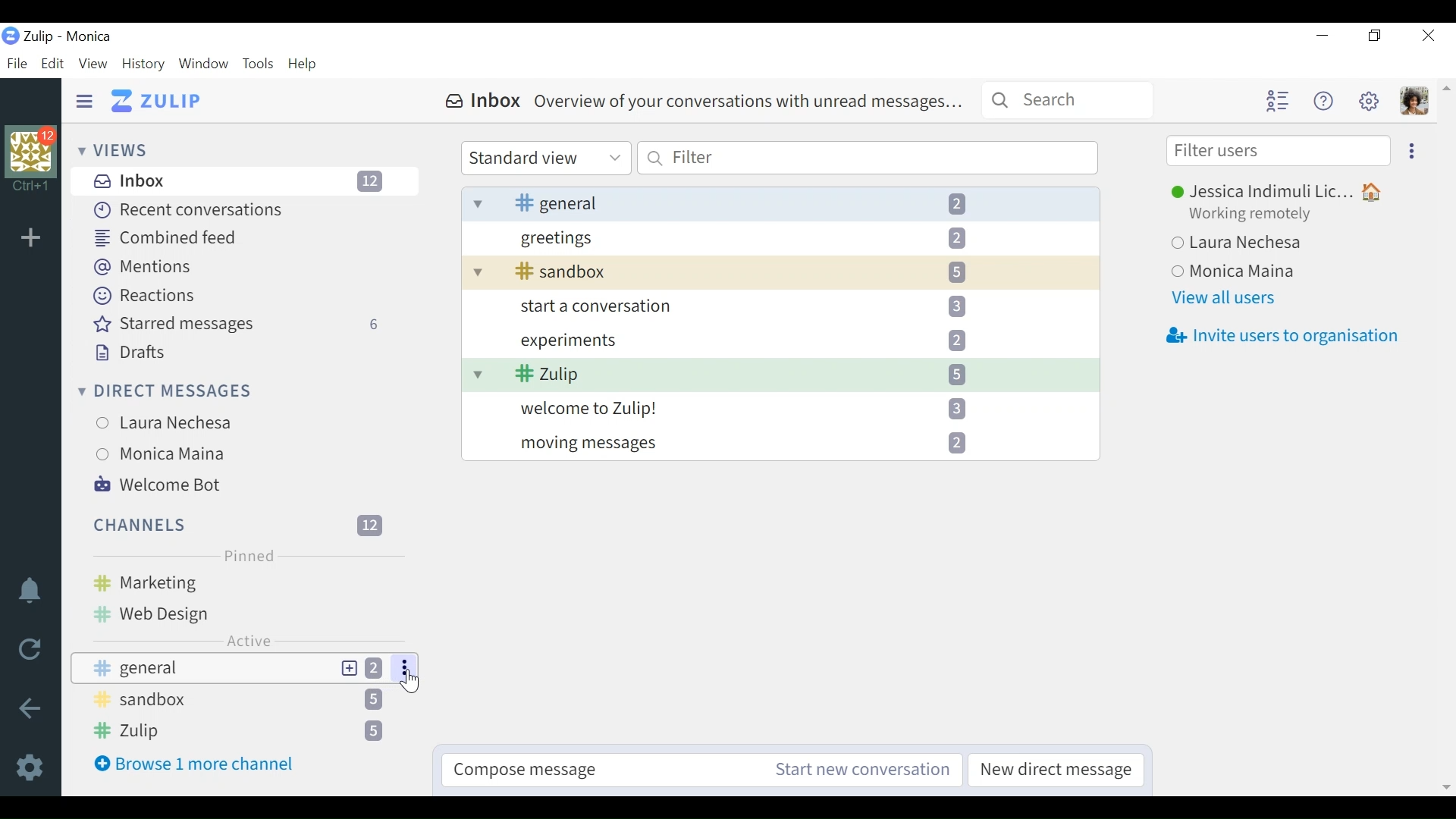 Image resolution: width=1456 pixels, height=819 pixels. Describe the element at coordinates (781, 237) in the screenshot. I see `Greetings 2` at that location.